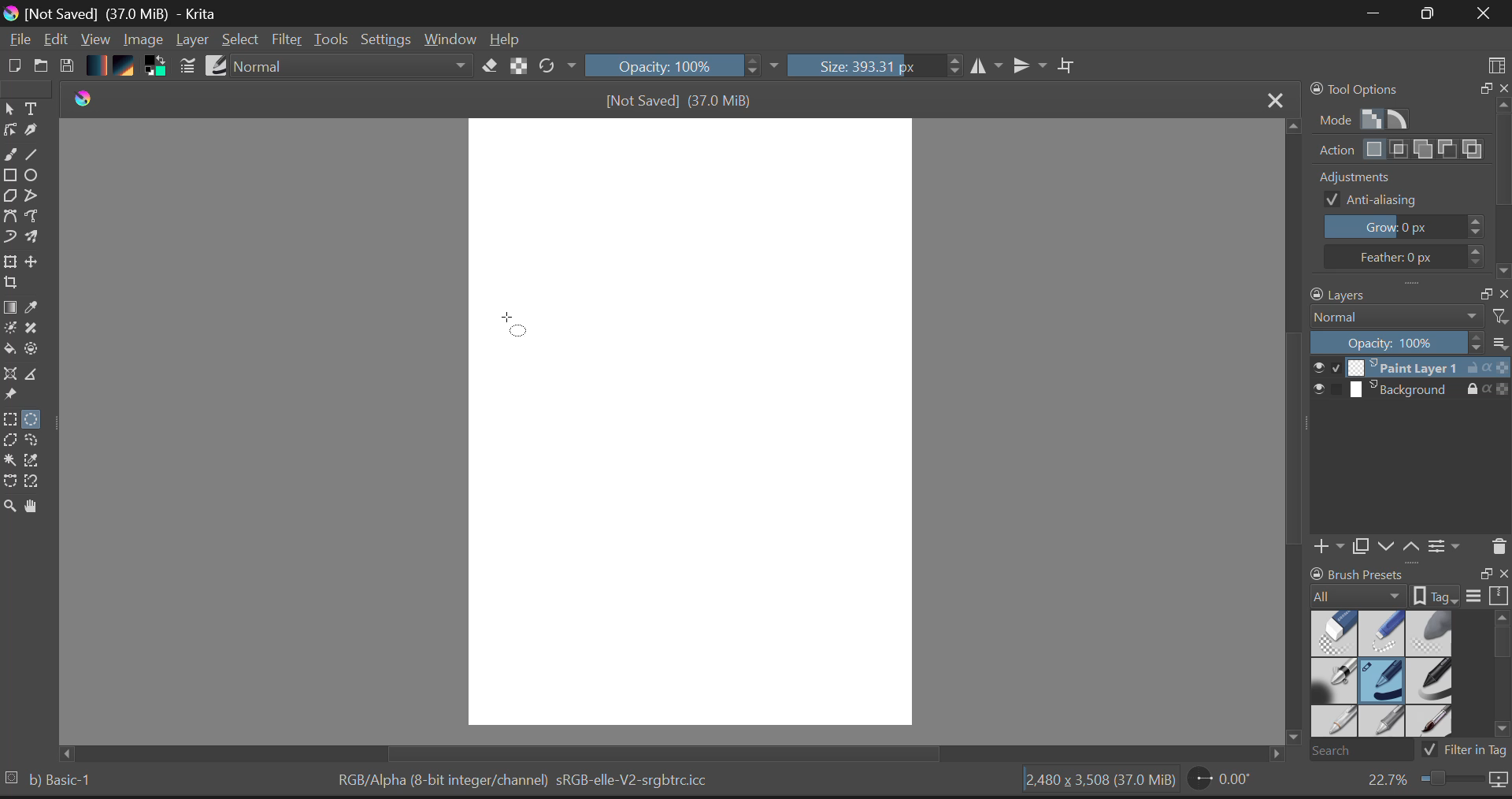 This screenshot has height=799, width=1512. Describe the element at coordinates (1221, 782) in the screenshot. I see `Page Rotation` at that location.